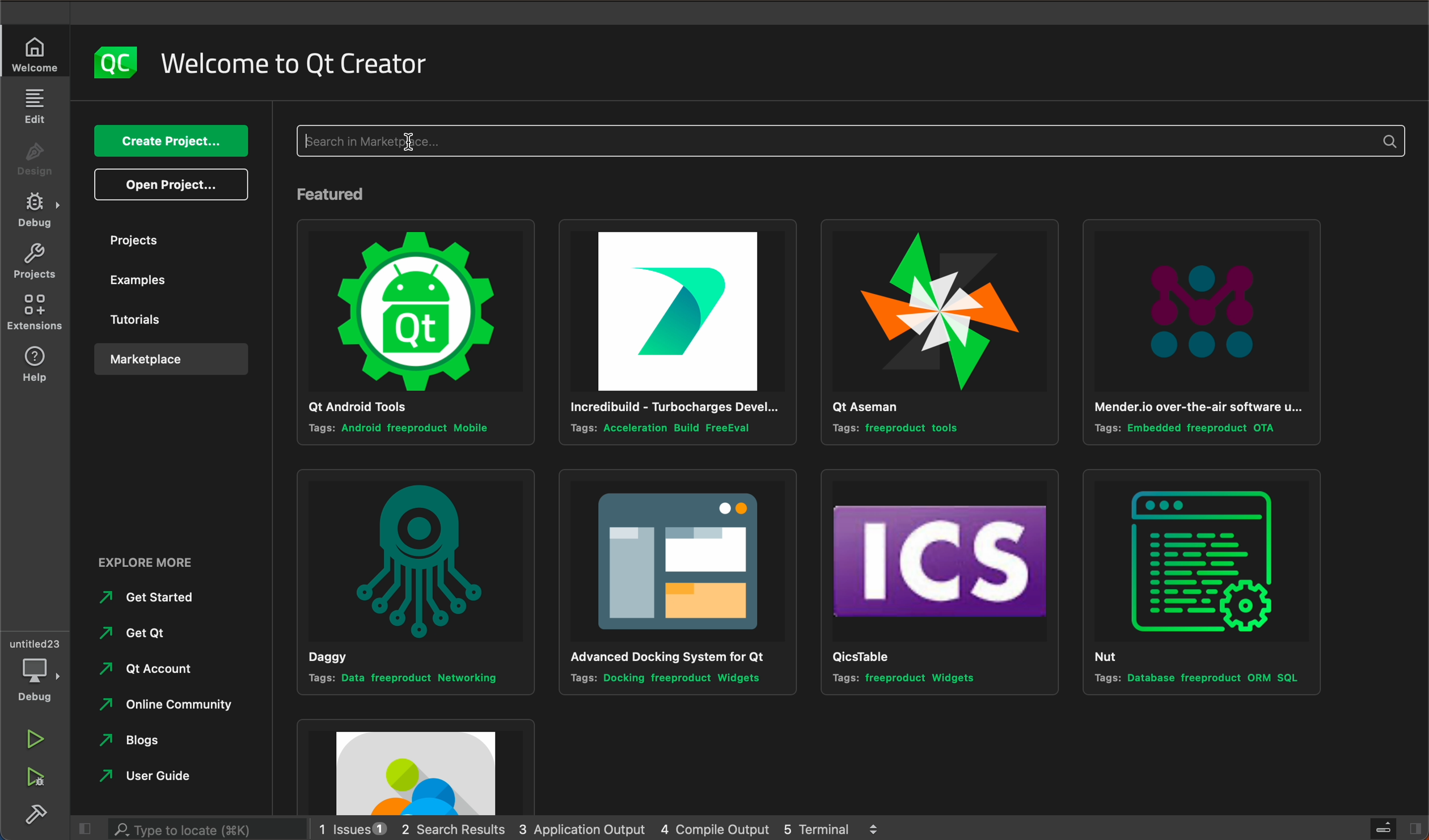 Image resolution: width=1429 pixels, height=840 pixels. What do you see at coordinates (116, 61) in the screenshot?
I see `logo` at bounding box center [116, 61].